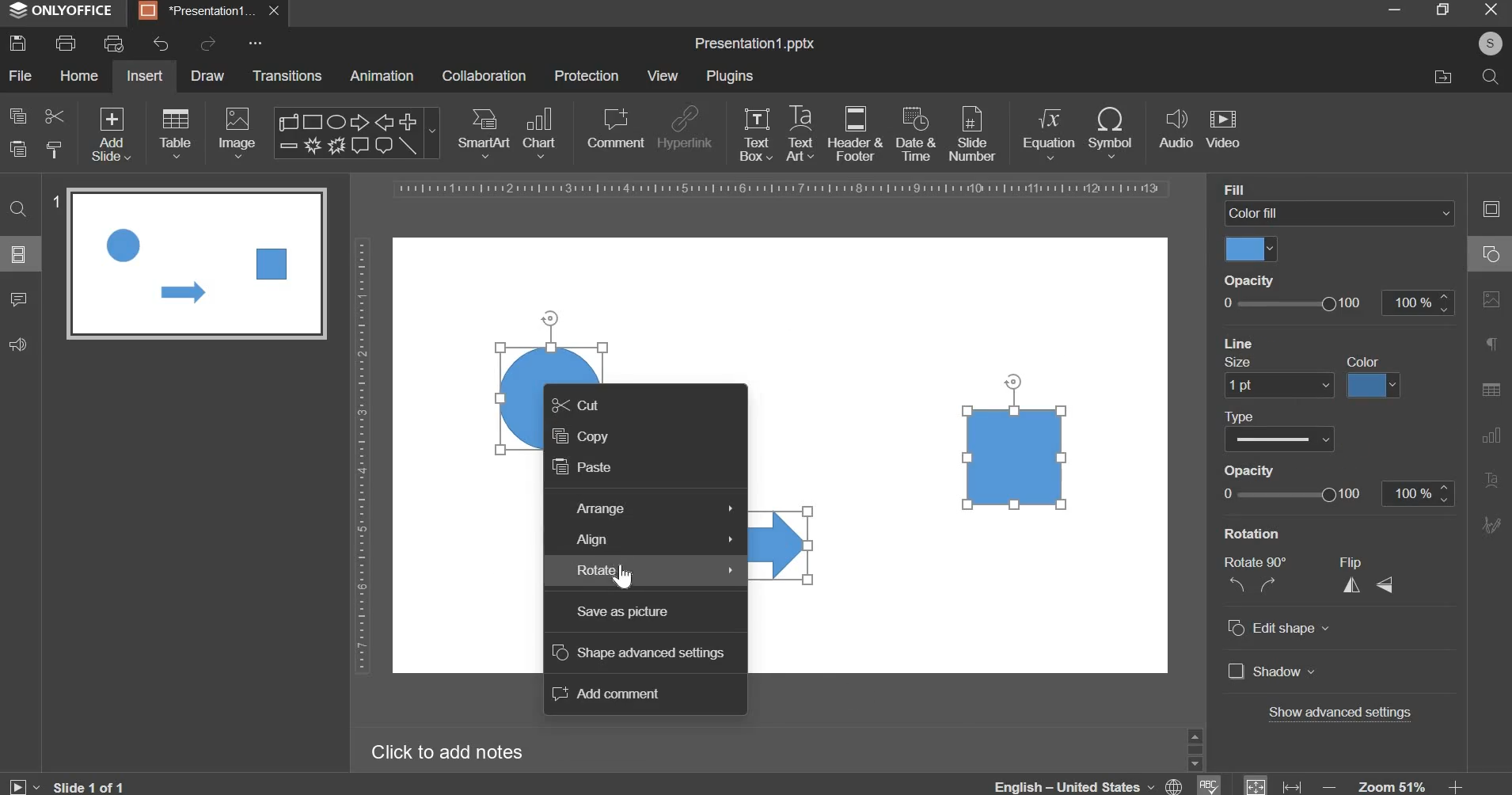 Image resolution: width=1512 pixels, height=795 pixels. Describe the element at coordinates (1255, 280) in the screenshot. I see `opacity` at that location.